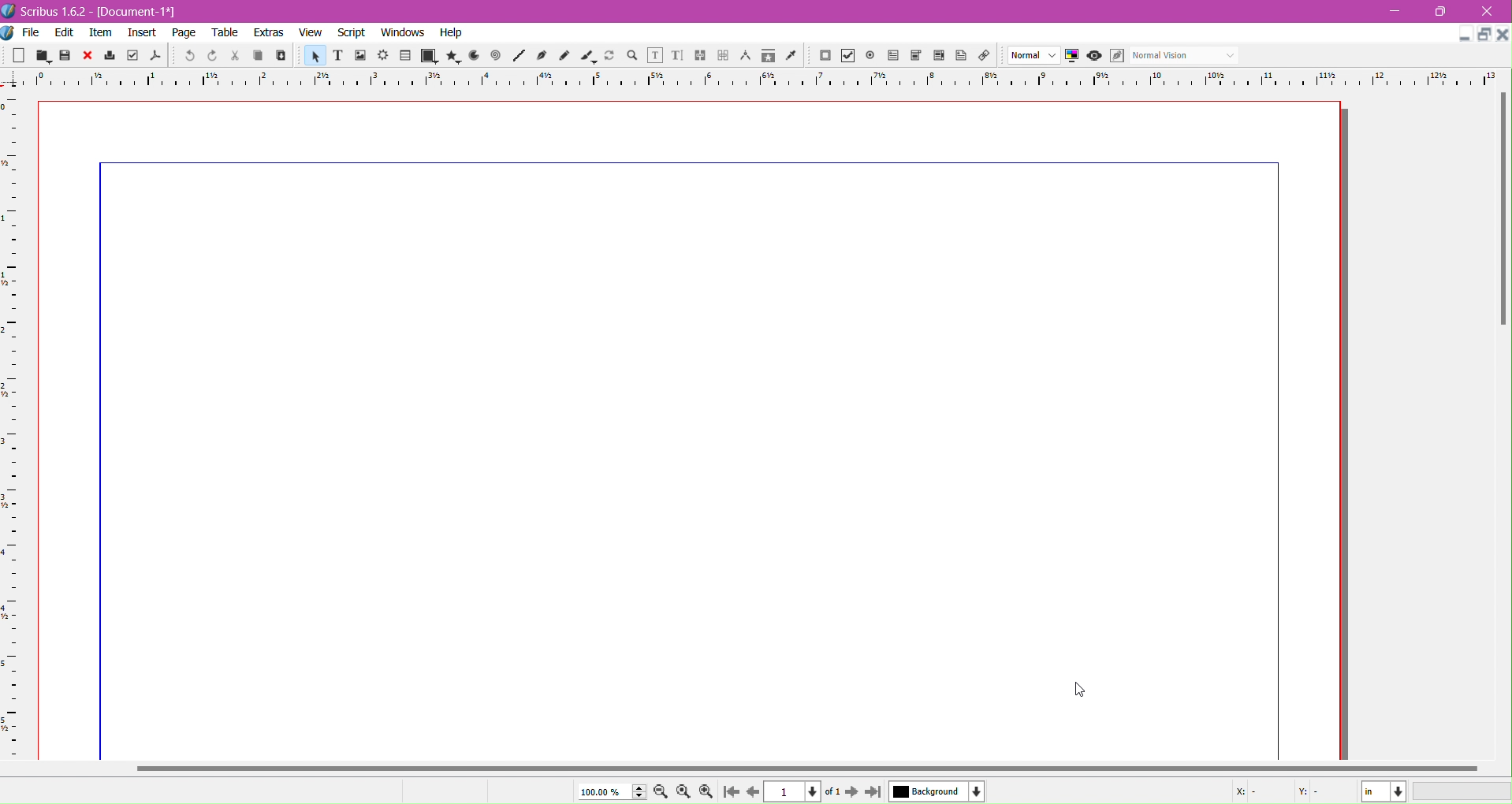  Describe the element at coordinates (353, 33) in the screenshot. I see `script menu` at that location.